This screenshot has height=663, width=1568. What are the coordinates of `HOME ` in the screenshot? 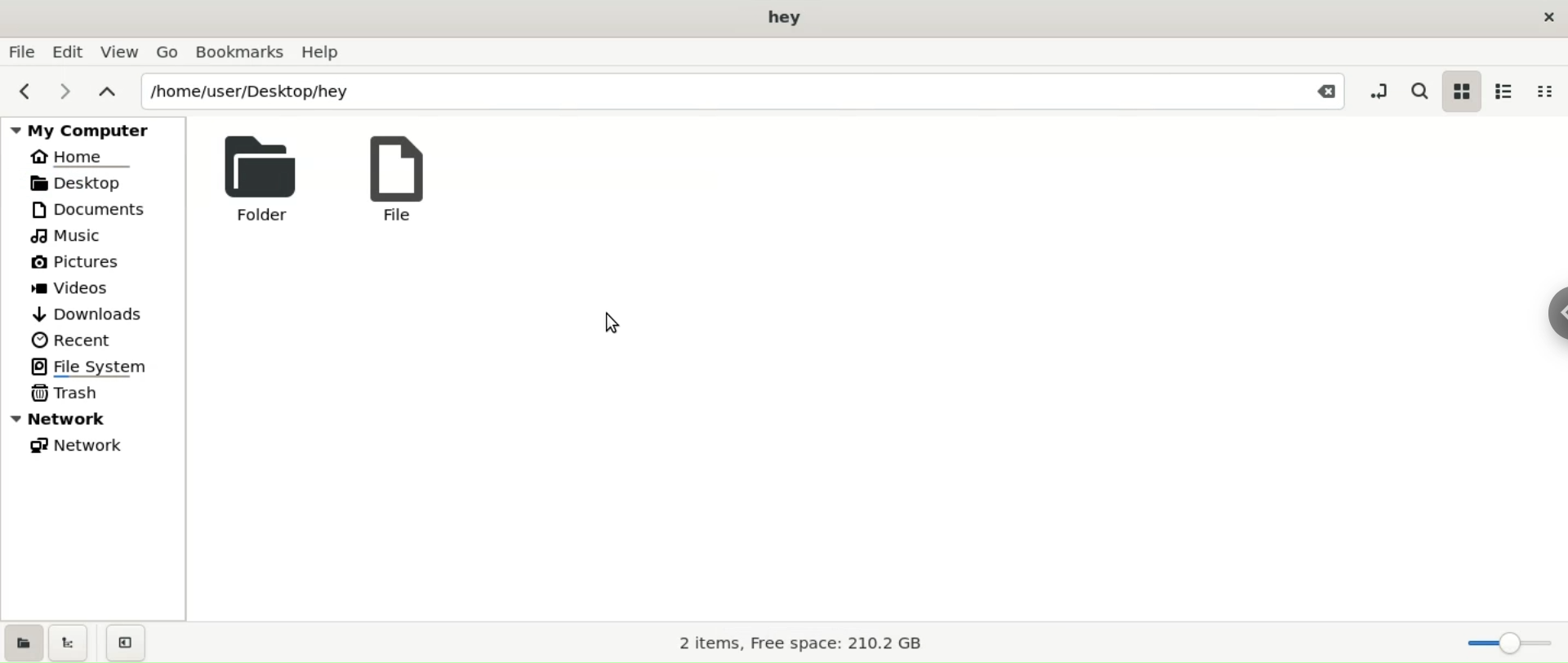 It's located at (86, 157).